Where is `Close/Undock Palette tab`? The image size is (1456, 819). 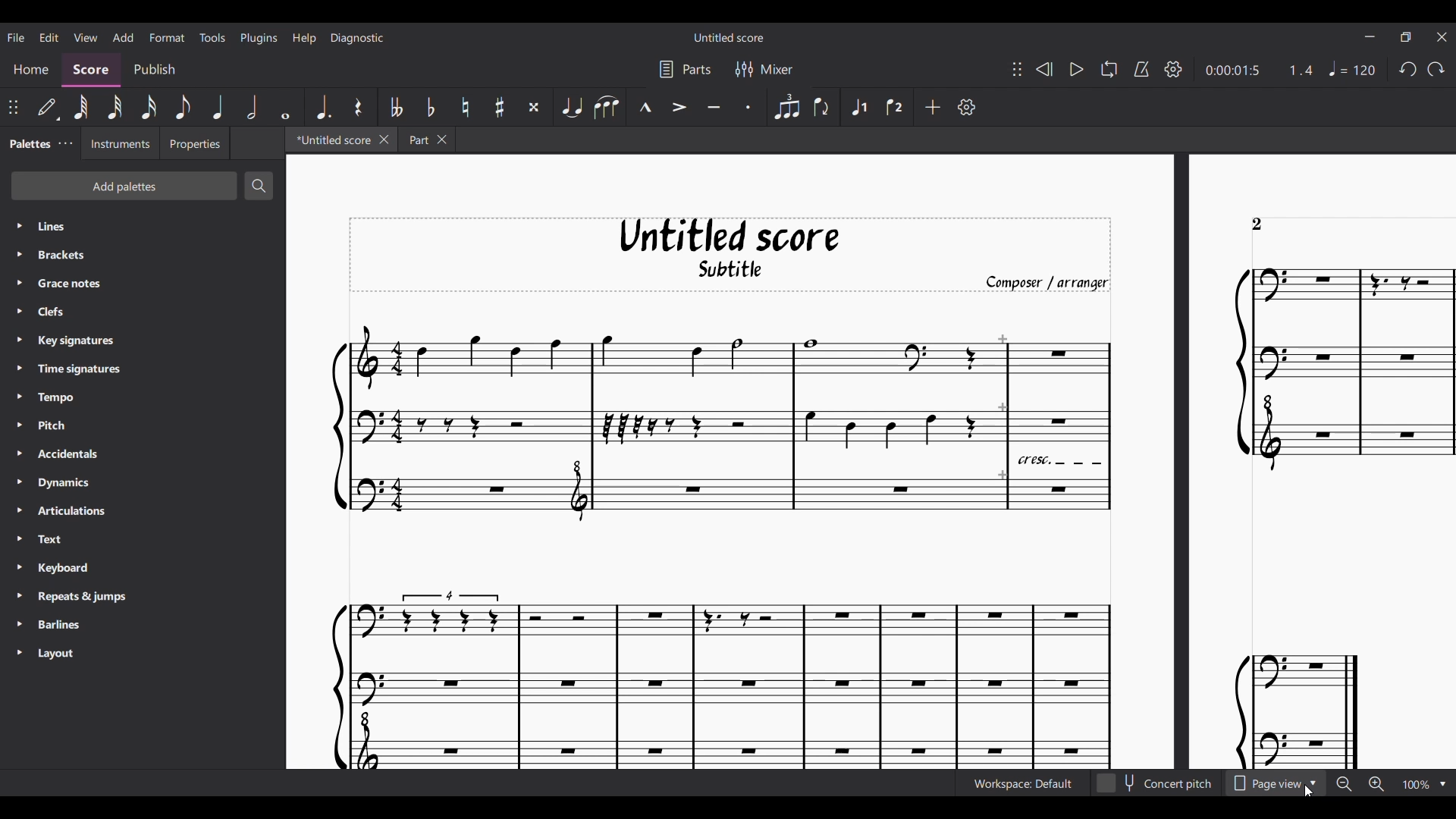 Close/Undock Palette tab is located at coordinates (66, 143).